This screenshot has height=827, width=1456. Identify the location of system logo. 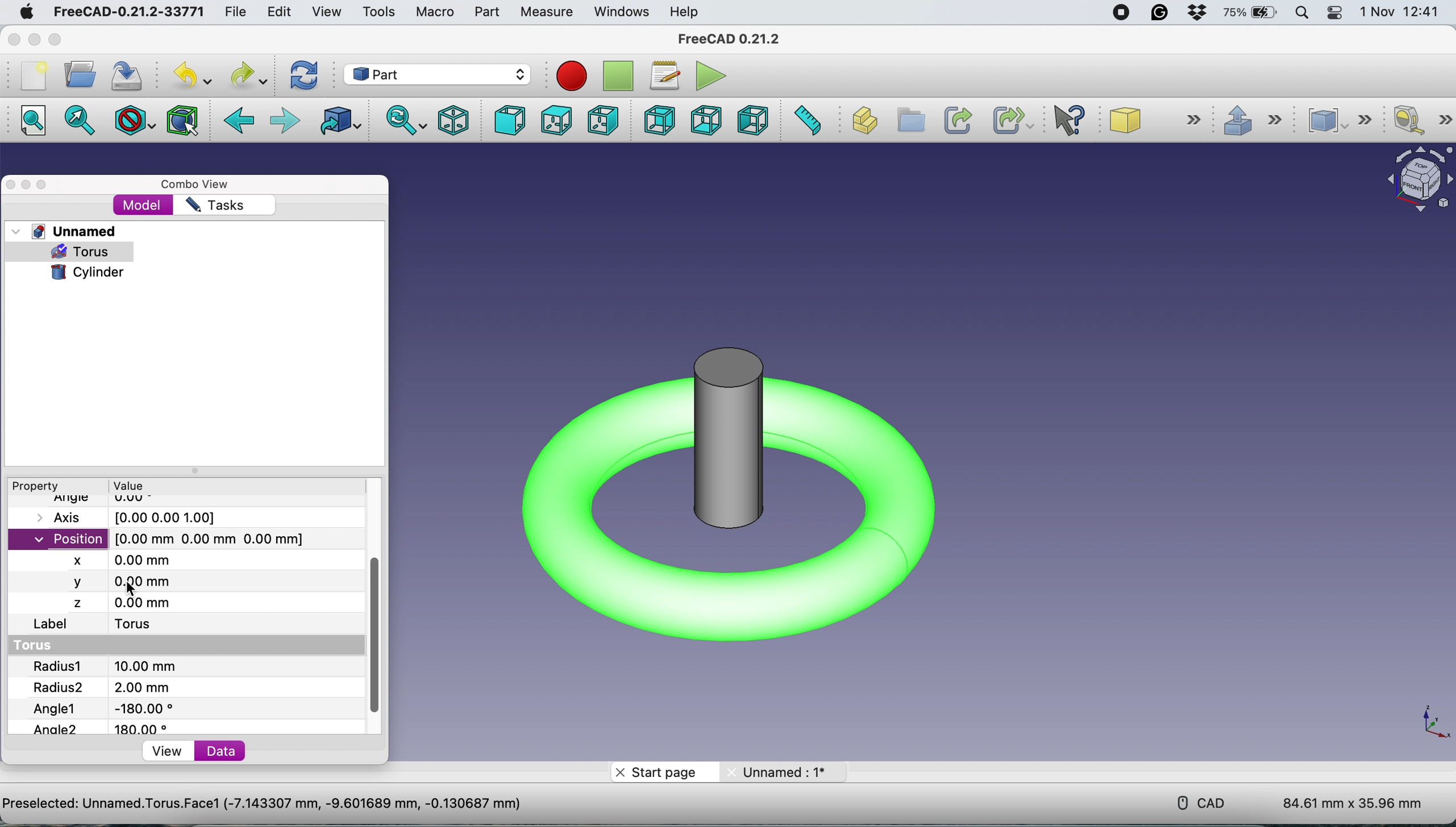
(27, 14).